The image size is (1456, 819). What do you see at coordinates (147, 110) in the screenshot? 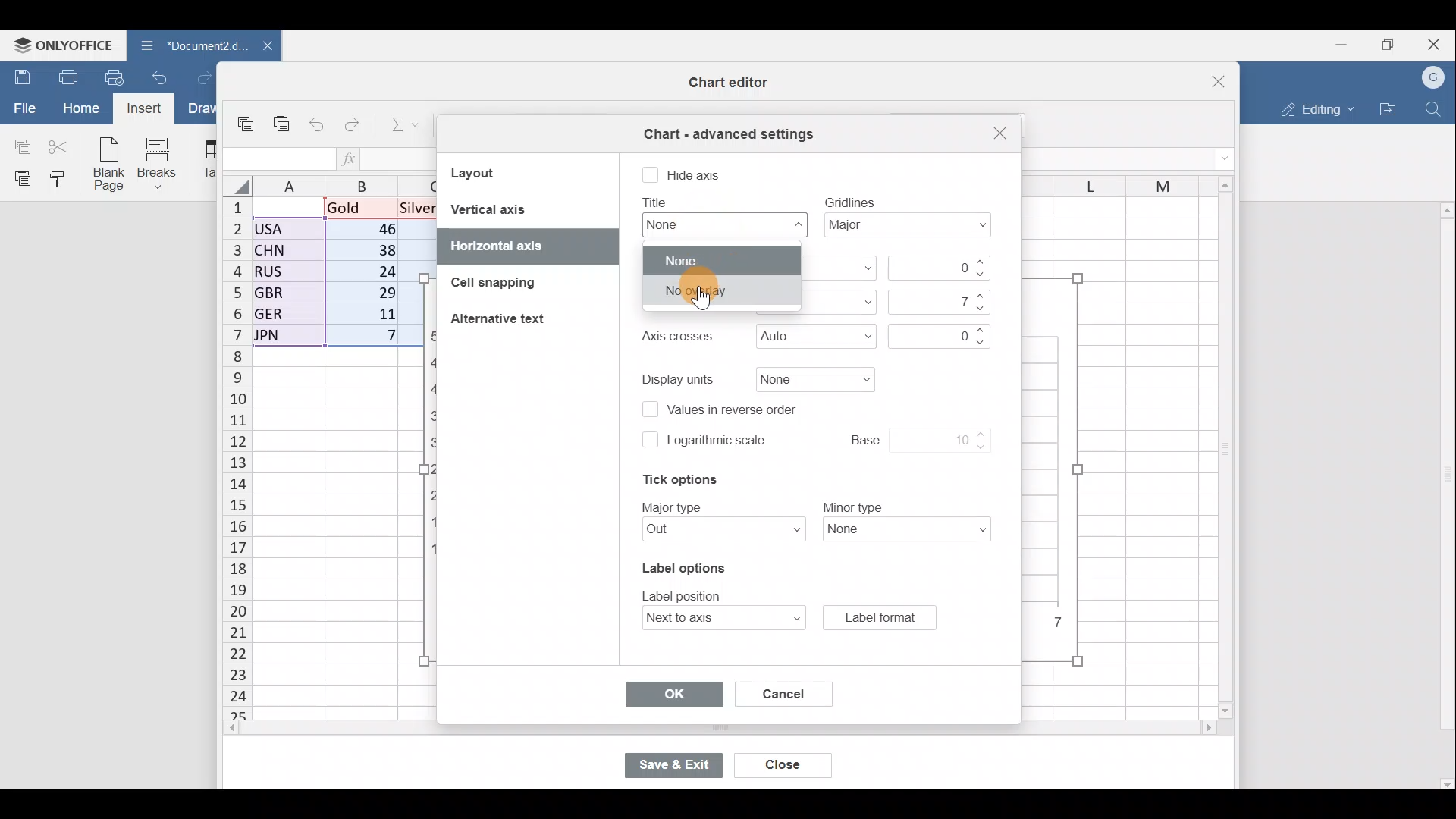
I see `Cursor on Insert` at bounding box center [147, 110].